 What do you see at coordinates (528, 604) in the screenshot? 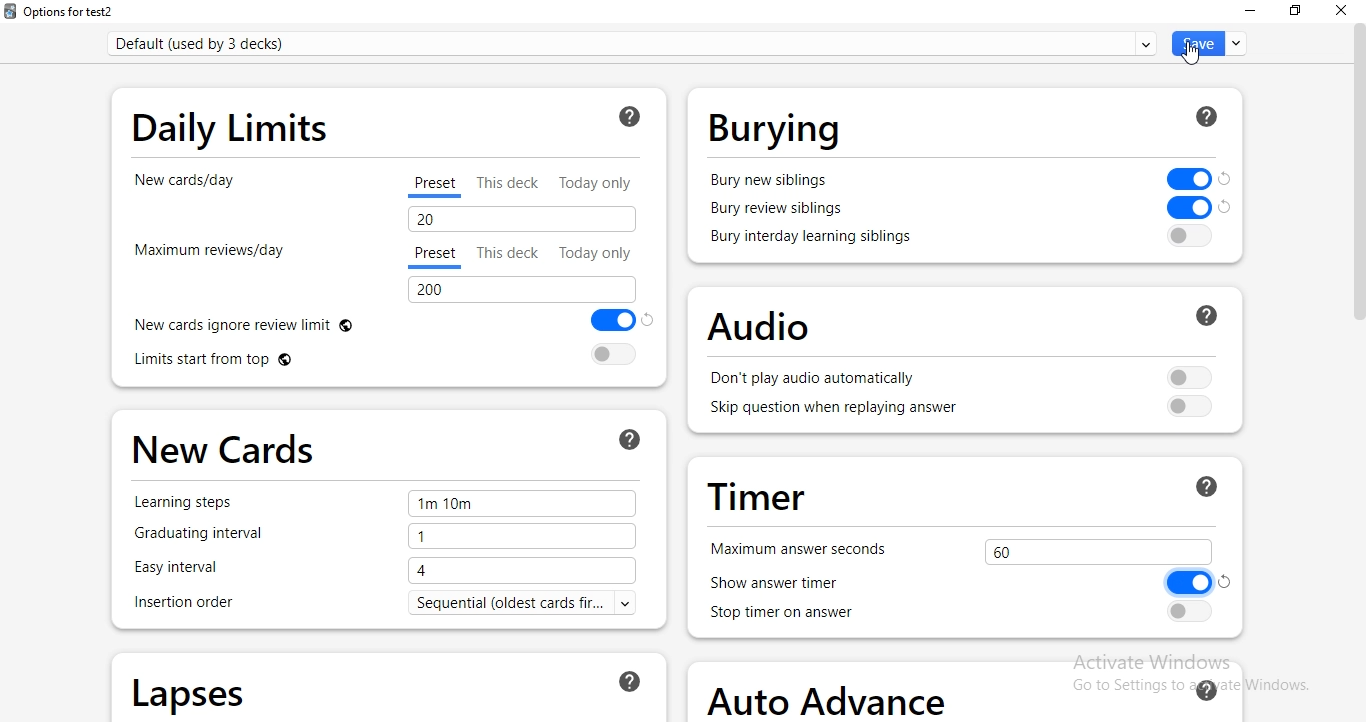
I see `text` at bounding box center [528, 604].